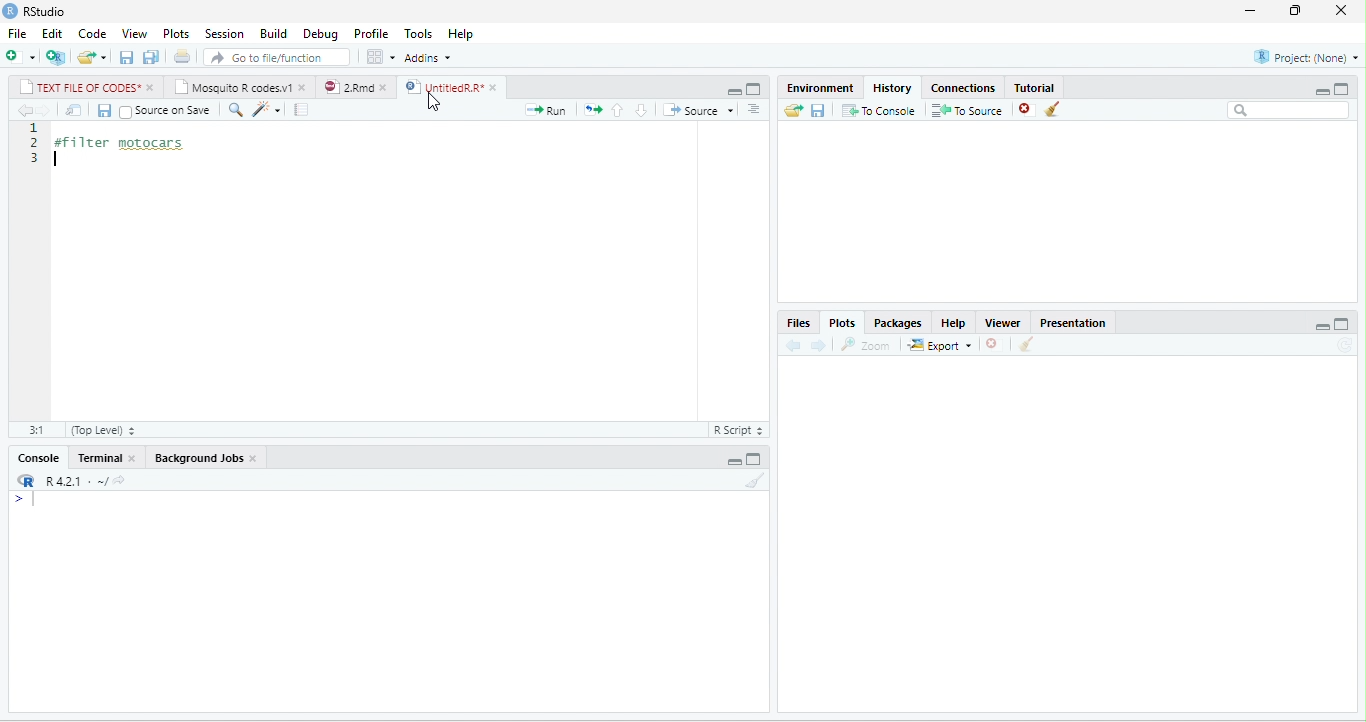 The height and width of the screenshot is (722, 1366). I want to click on Source on Save, so click(166, 112).